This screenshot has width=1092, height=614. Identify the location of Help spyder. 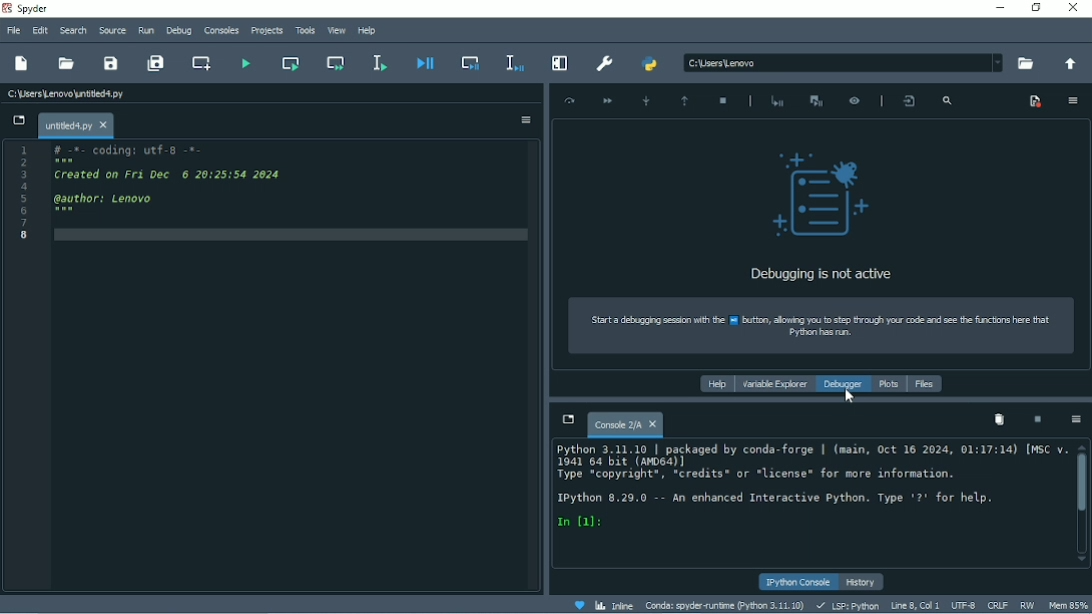
(578, 606).